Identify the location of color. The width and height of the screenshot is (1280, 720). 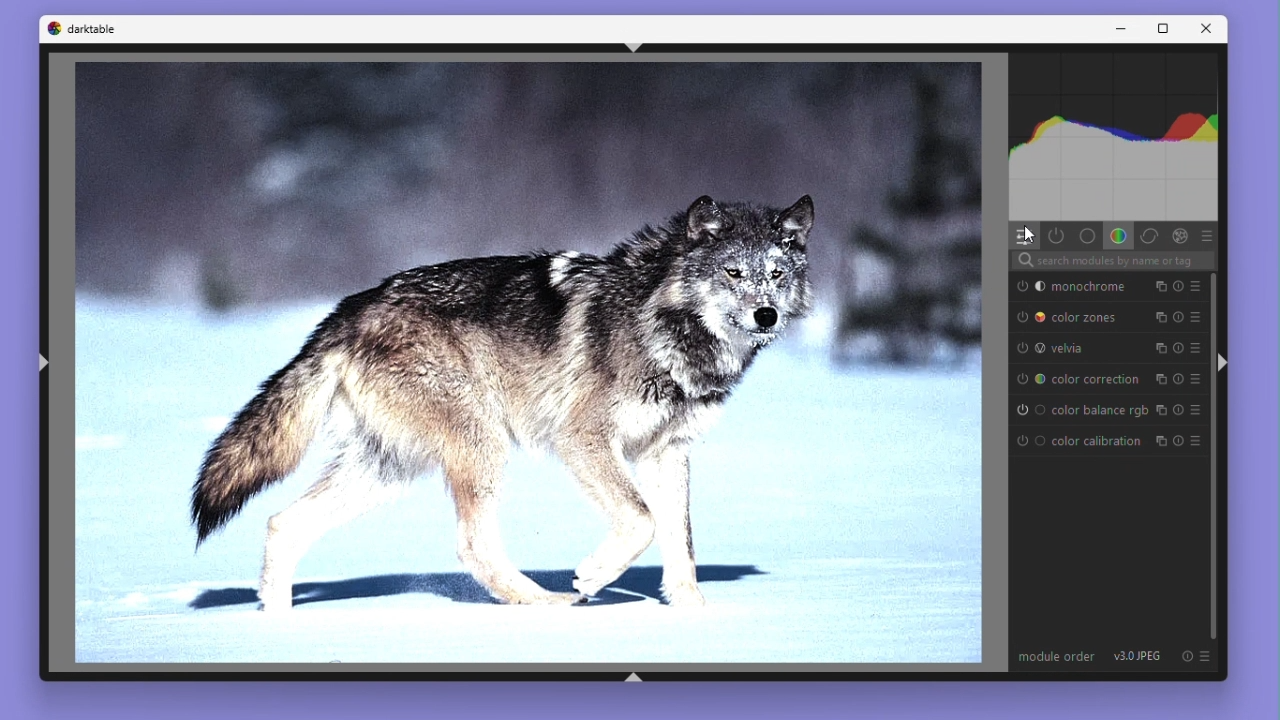
(1118, 236).